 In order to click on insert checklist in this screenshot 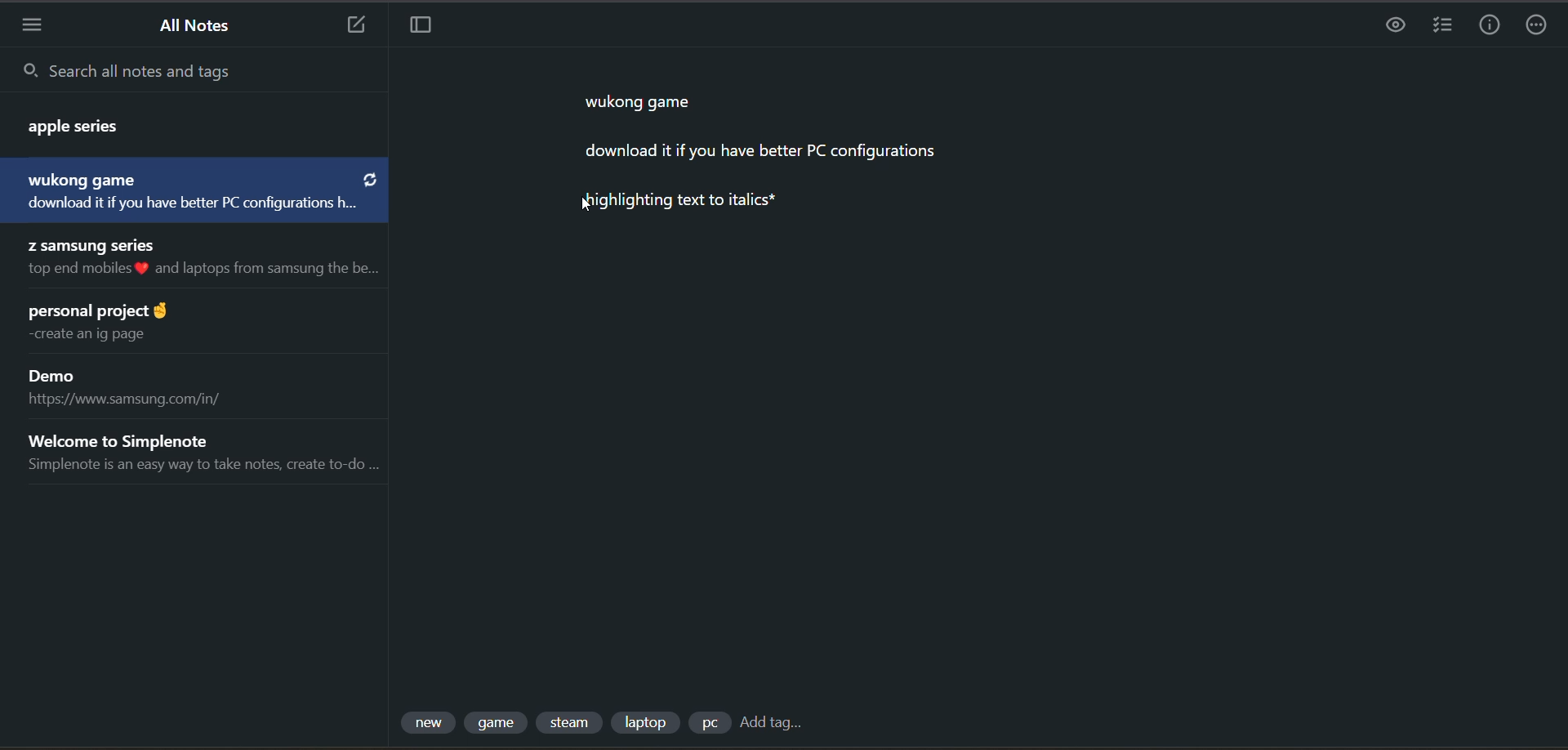, I will do `click(1443, 26)`.